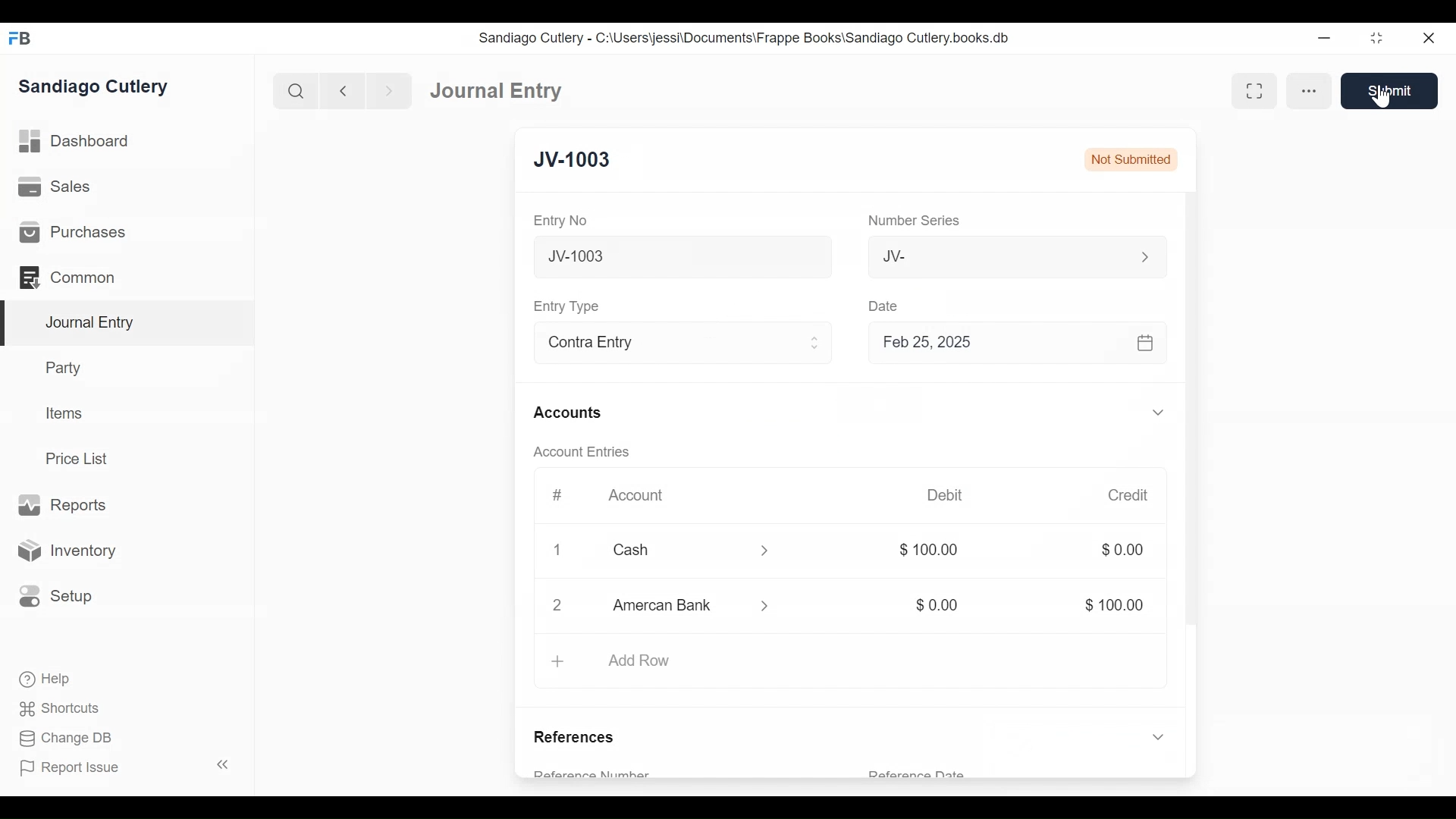 This screenshot has width=1456, height=819. What do you see at coordinates (951, 495) in the screenshot?
I see `Debit` at bounding box center [951, 495].